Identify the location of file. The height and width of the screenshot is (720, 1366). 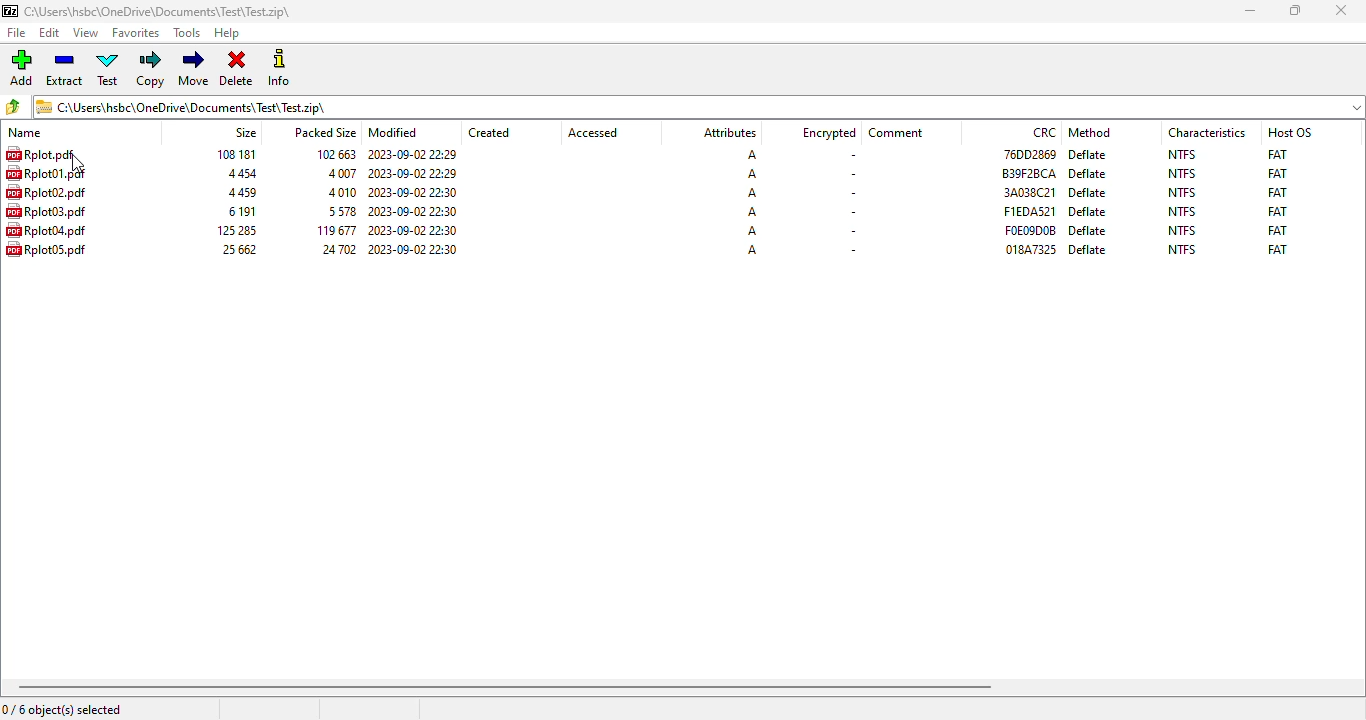
(18, 33).